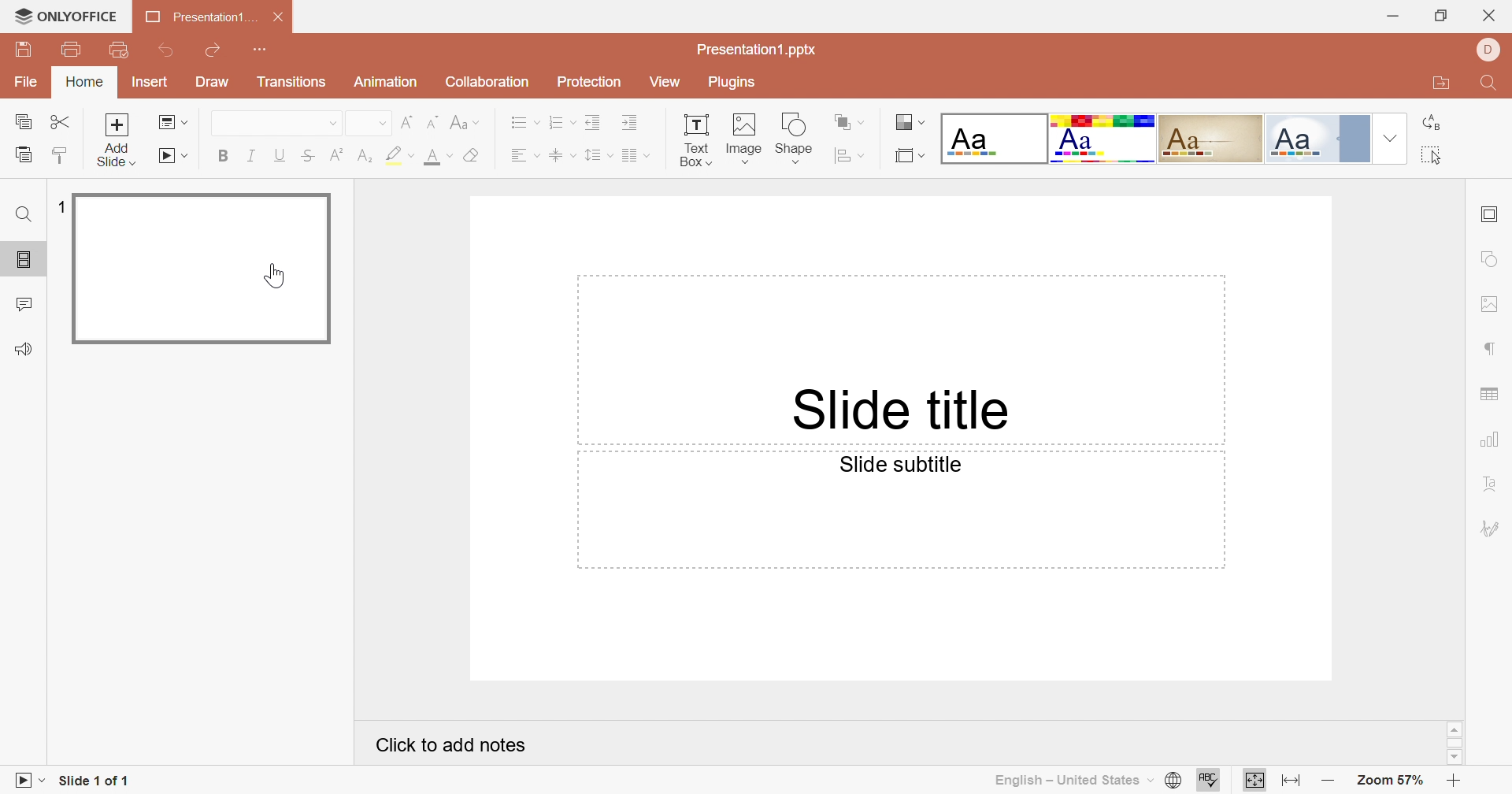 Image resolution: width=1512 pixels, height=794 pixels. What do you see at coordinates (861, 121) in the screenshot?
I see `Drop Down` at bounding box center [861, 121].